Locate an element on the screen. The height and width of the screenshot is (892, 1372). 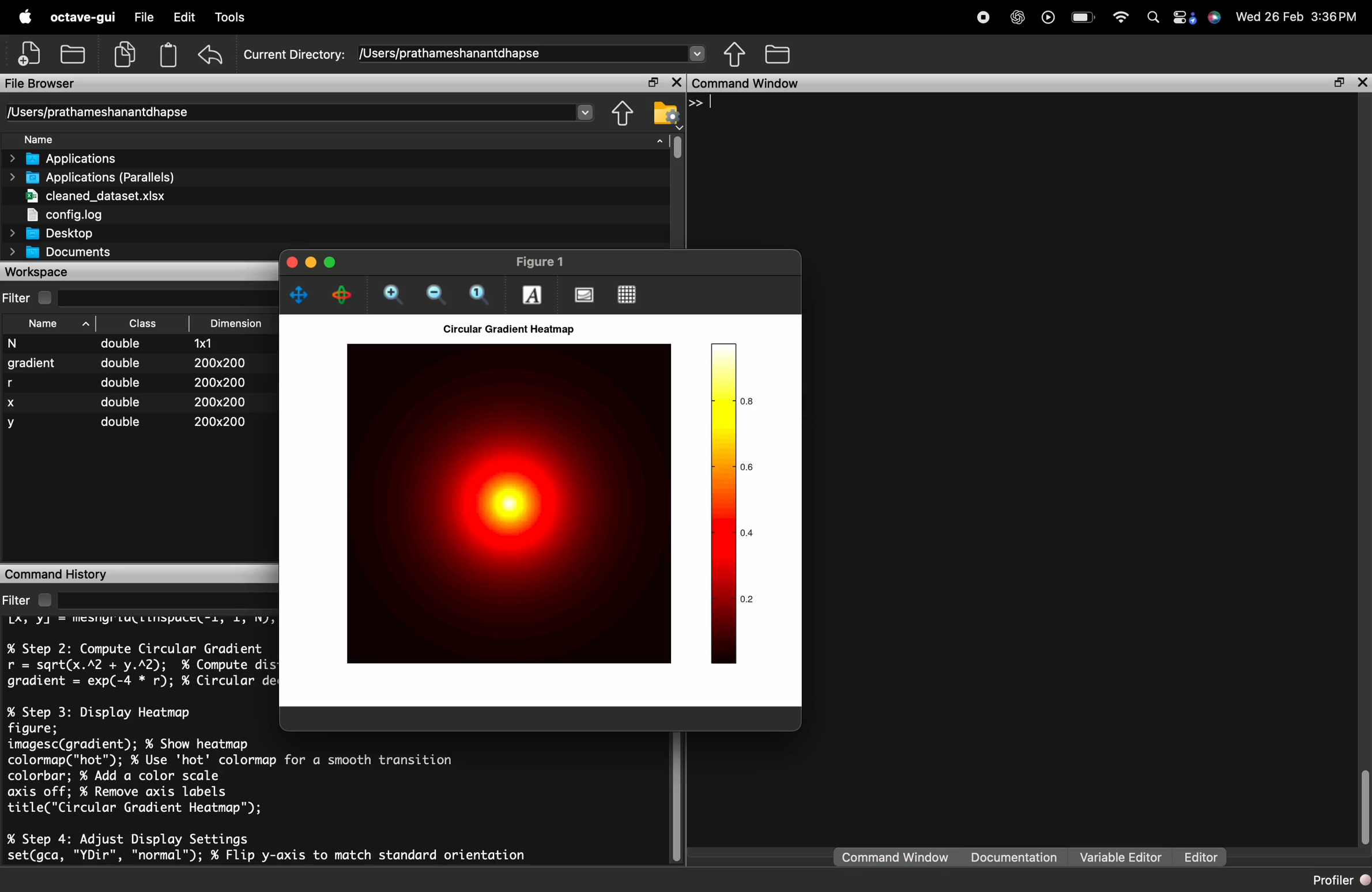
Documentation is located at coordinates (1011, 857).